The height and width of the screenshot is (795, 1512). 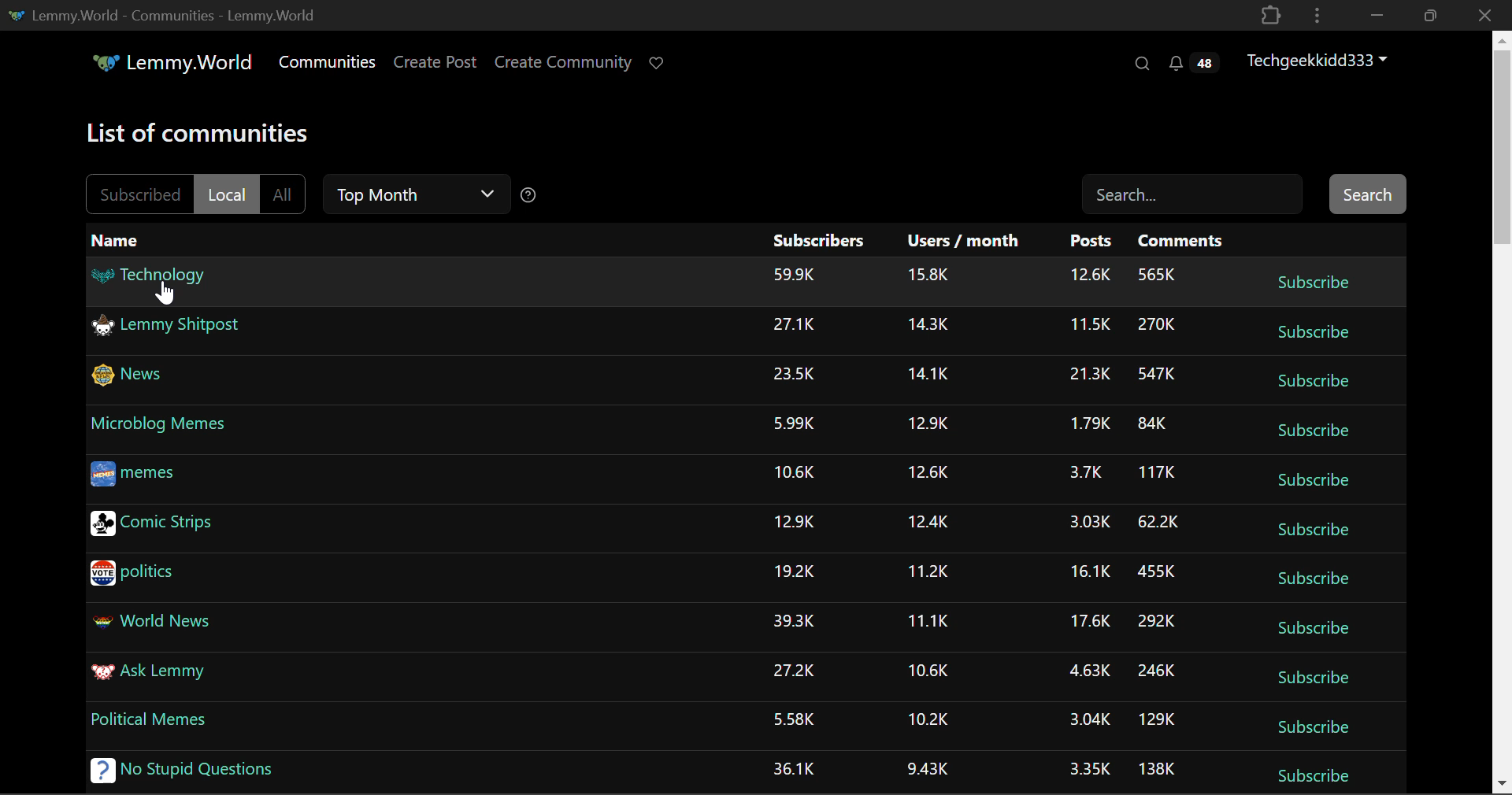 What do you see at coordinates (1158, 523) in the screenshot?
I see `Amount ` at bounding box center [1158, 523].